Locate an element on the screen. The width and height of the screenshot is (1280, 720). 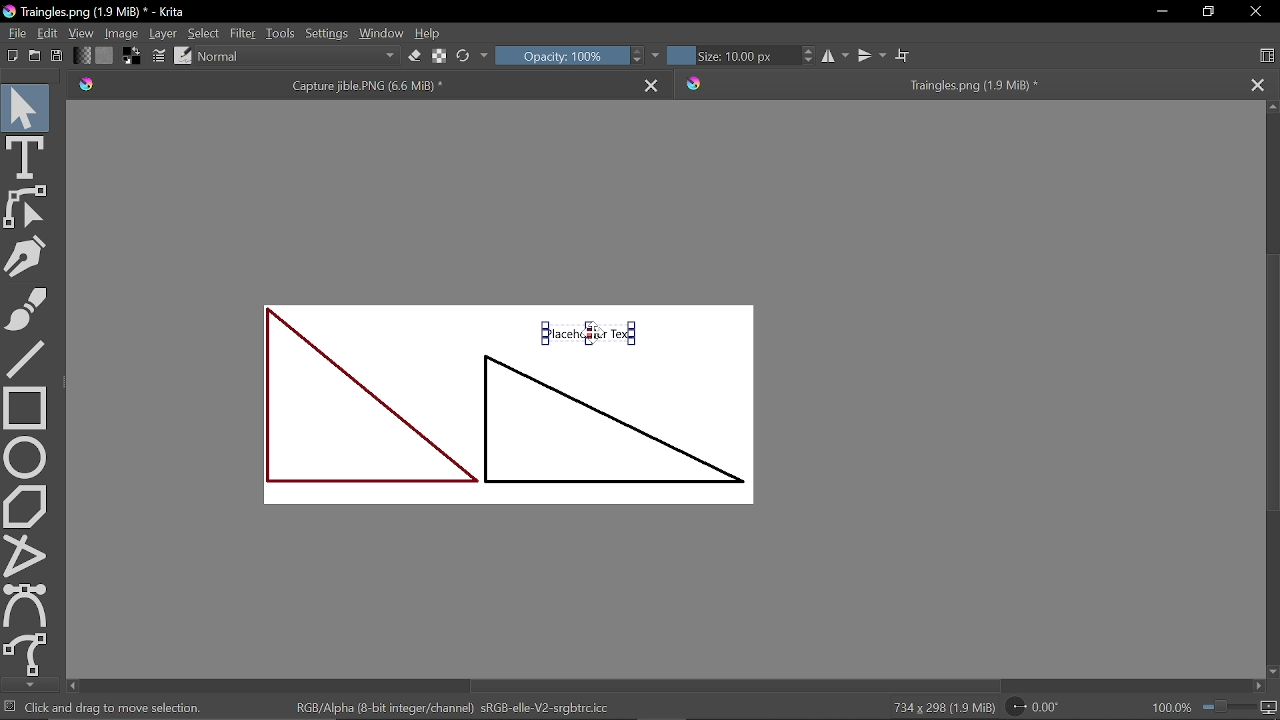
Ellipse tool is located at coordinates (26, 457).